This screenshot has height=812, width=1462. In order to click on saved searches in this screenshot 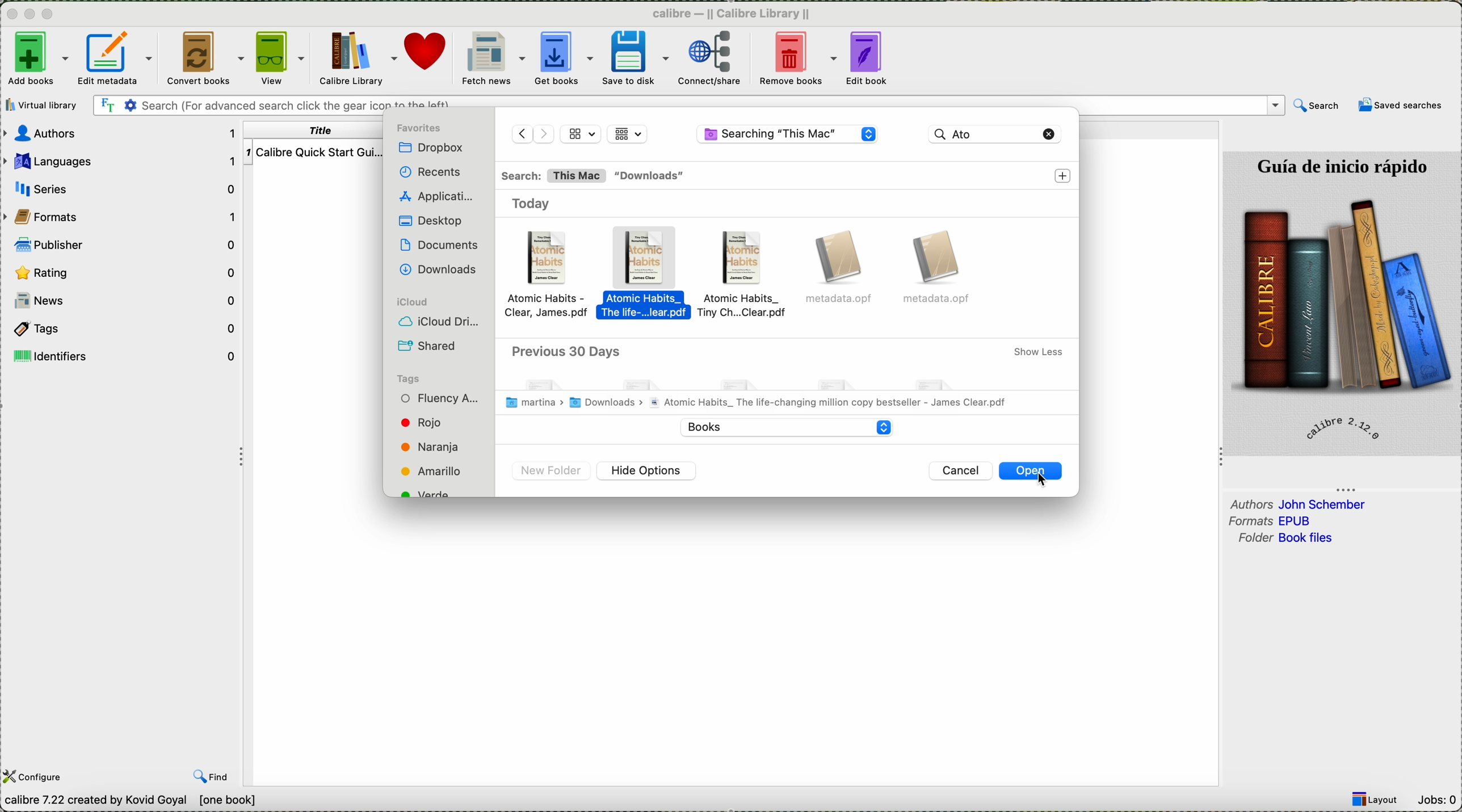, I will do `click(1400, 107)`.